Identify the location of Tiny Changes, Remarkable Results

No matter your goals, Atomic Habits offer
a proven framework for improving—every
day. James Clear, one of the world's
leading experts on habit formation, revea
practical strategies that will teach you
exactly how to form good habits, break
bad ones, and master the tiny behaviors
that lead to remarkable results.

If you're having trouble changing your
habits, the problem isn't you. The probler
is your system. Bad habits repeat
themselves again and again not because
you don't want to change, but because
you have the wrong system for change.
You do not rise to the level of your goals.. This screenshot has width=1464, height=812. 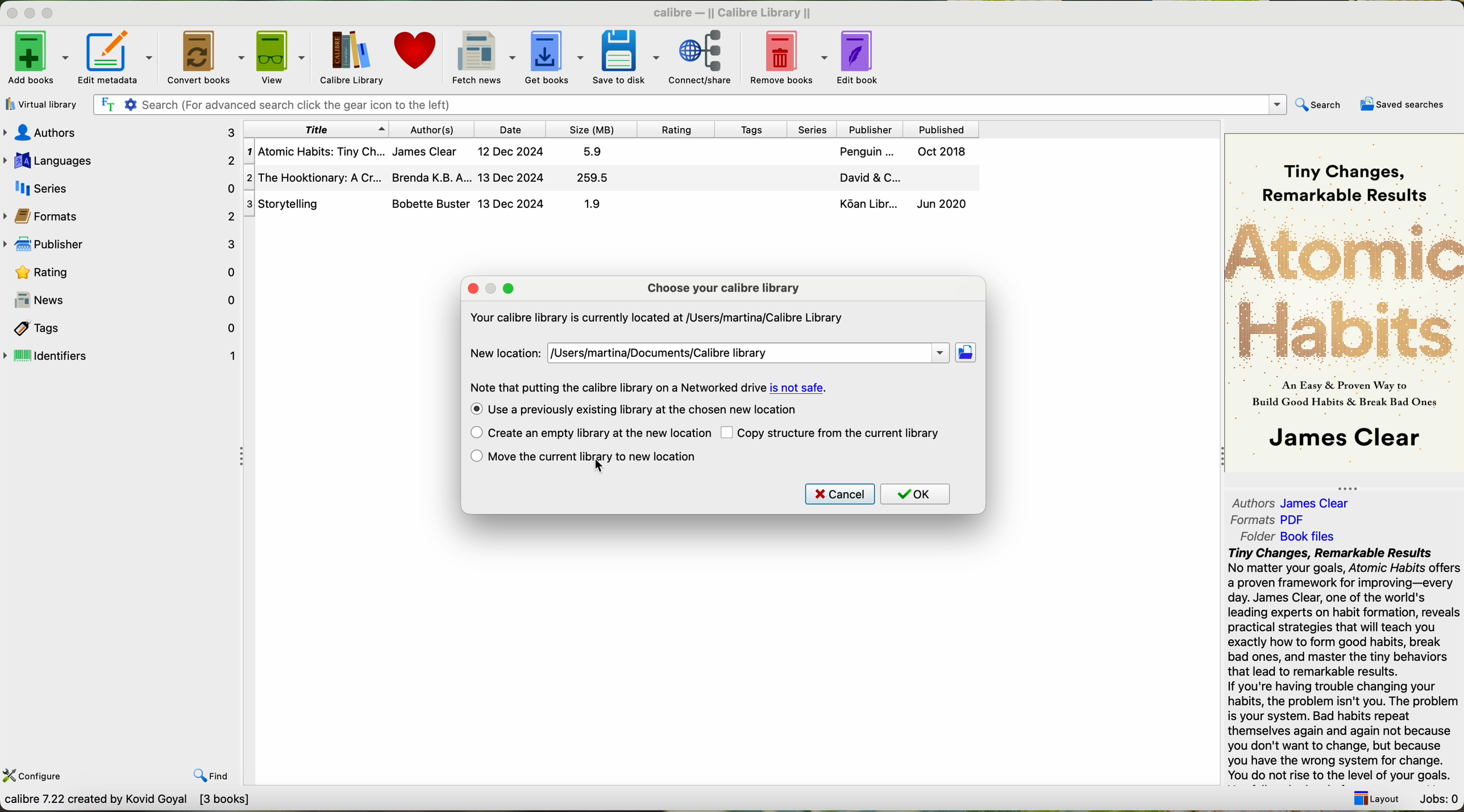
(1342, 665).